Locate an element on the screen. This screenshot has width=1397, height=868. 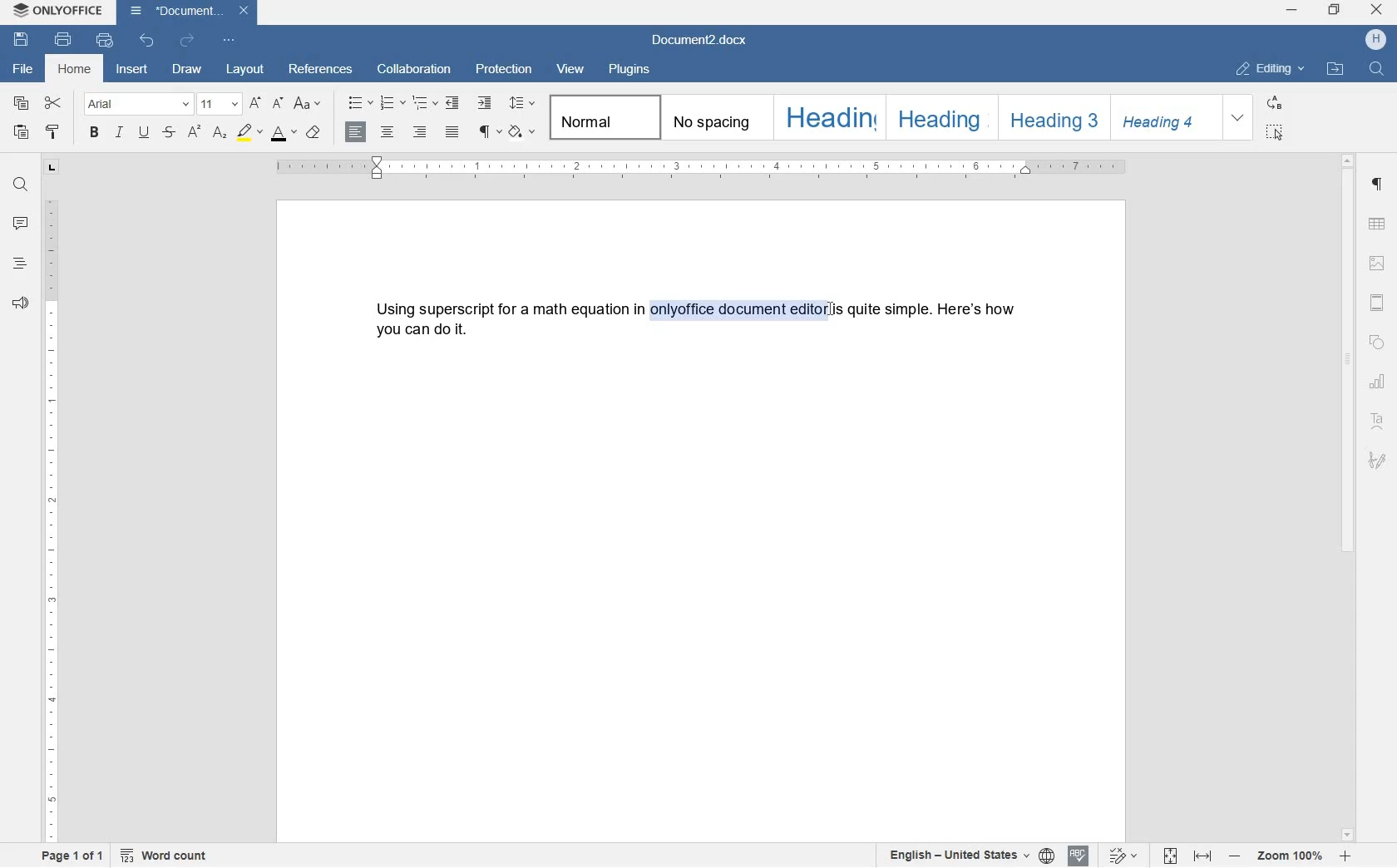
clear style is located at coordinates (314, 133).